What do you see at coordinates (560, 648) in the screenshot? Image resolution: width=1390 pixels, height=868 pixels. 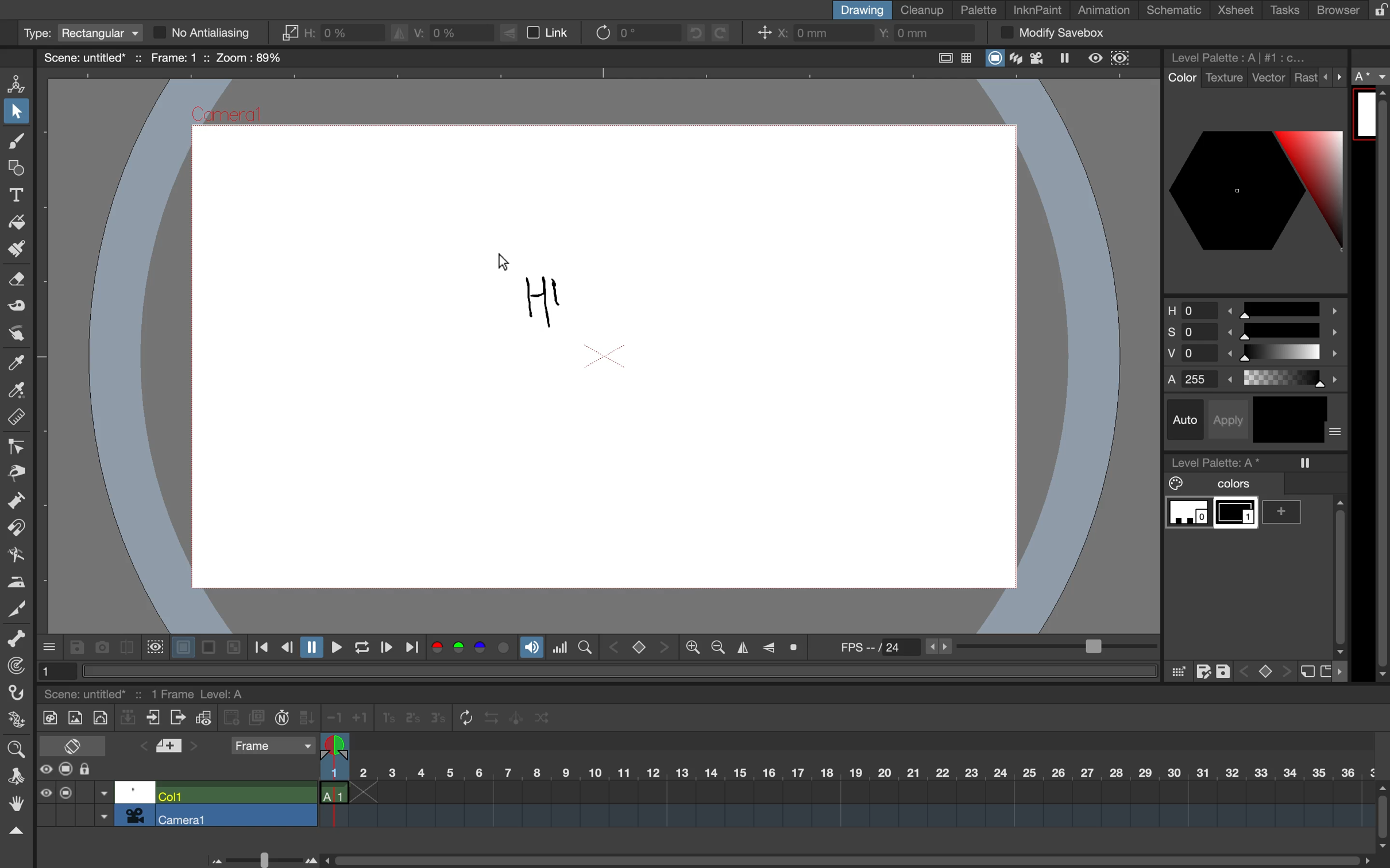 I see `histogram` at bounding box center [560, 648].